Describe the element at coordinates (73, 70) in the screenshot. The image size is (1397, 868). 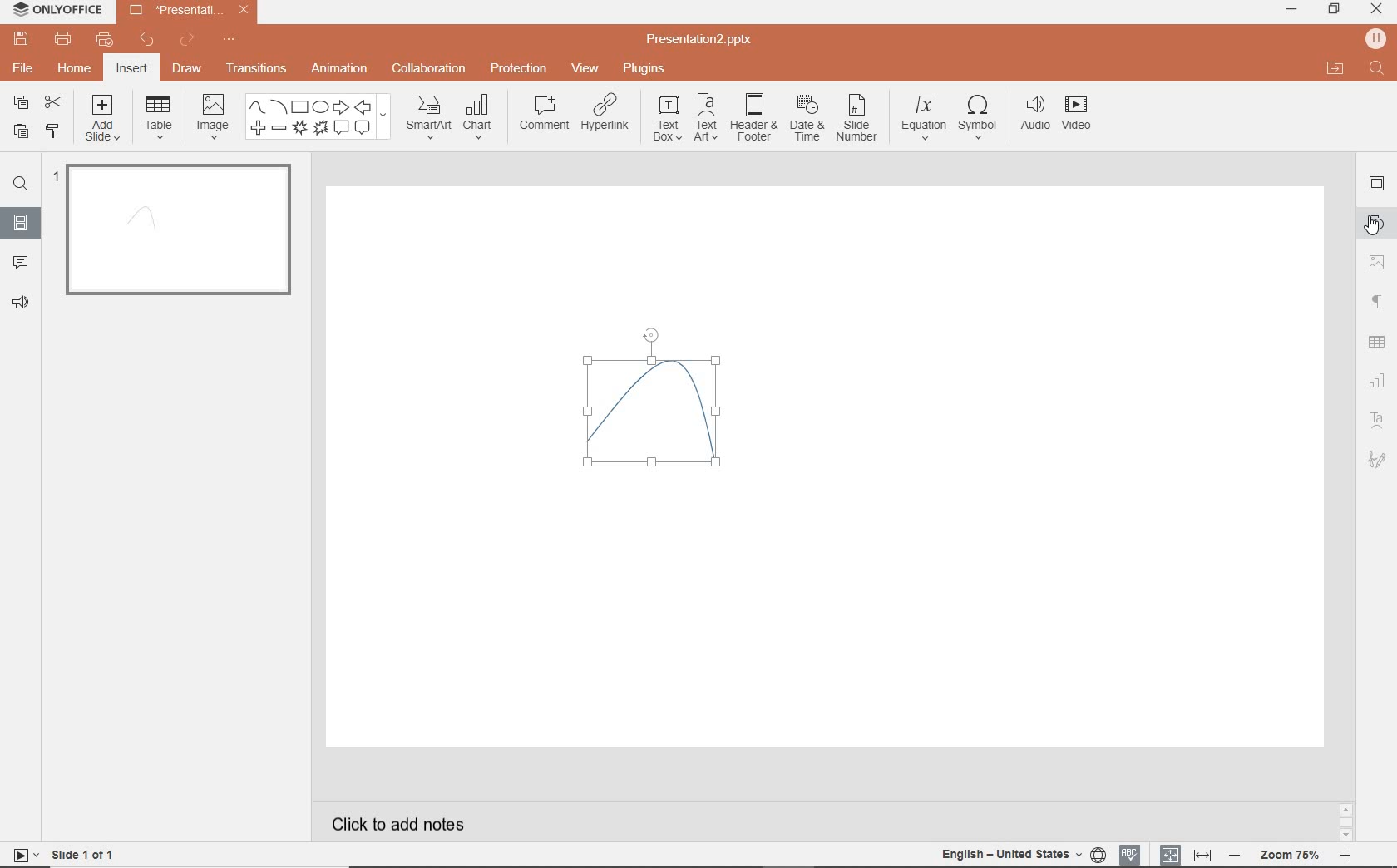
I see `HOME` at that location.